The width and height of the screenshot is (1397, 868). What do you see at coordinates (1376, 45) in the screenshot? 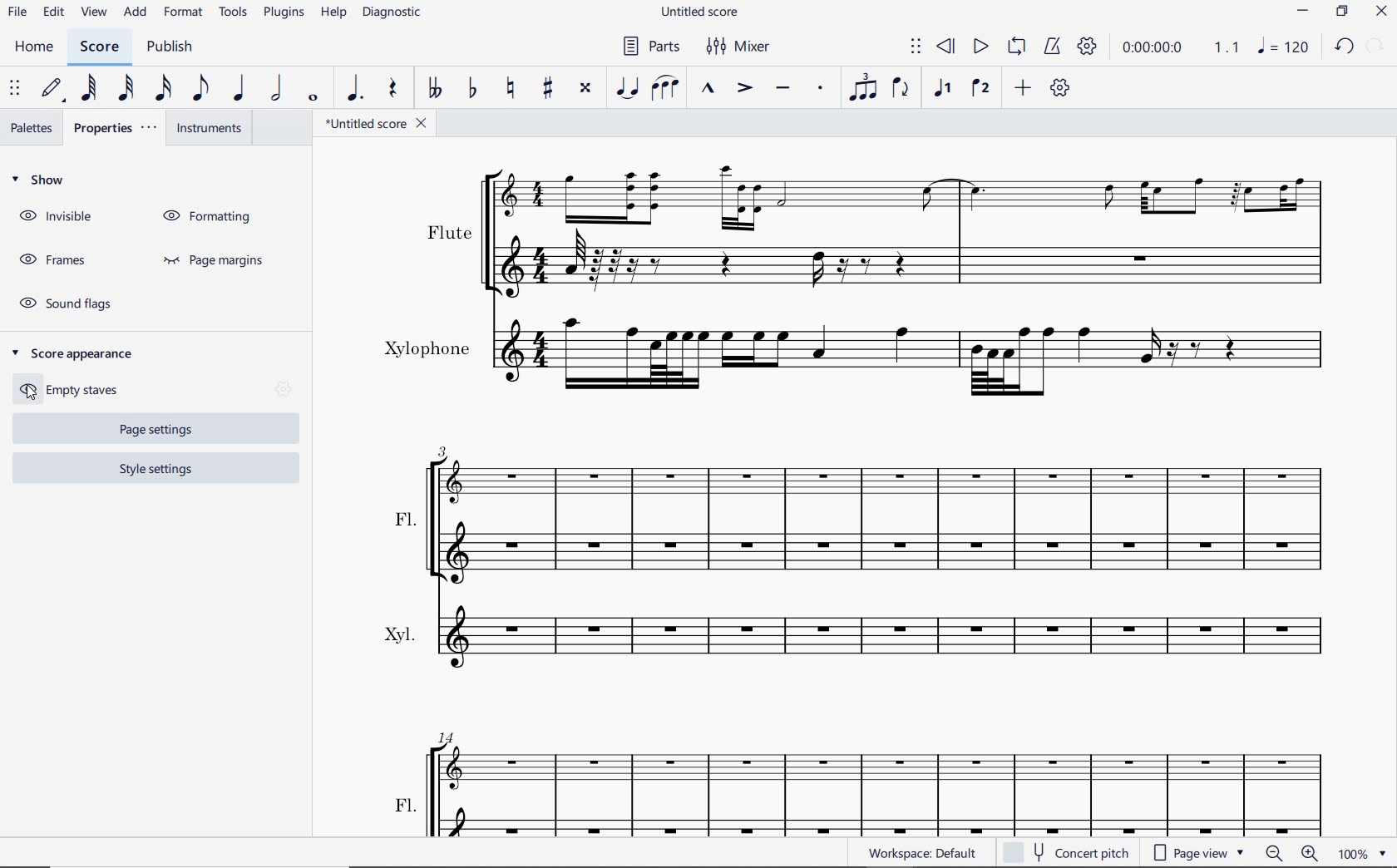
I see `REDO` at bounding box center [1376, 45].